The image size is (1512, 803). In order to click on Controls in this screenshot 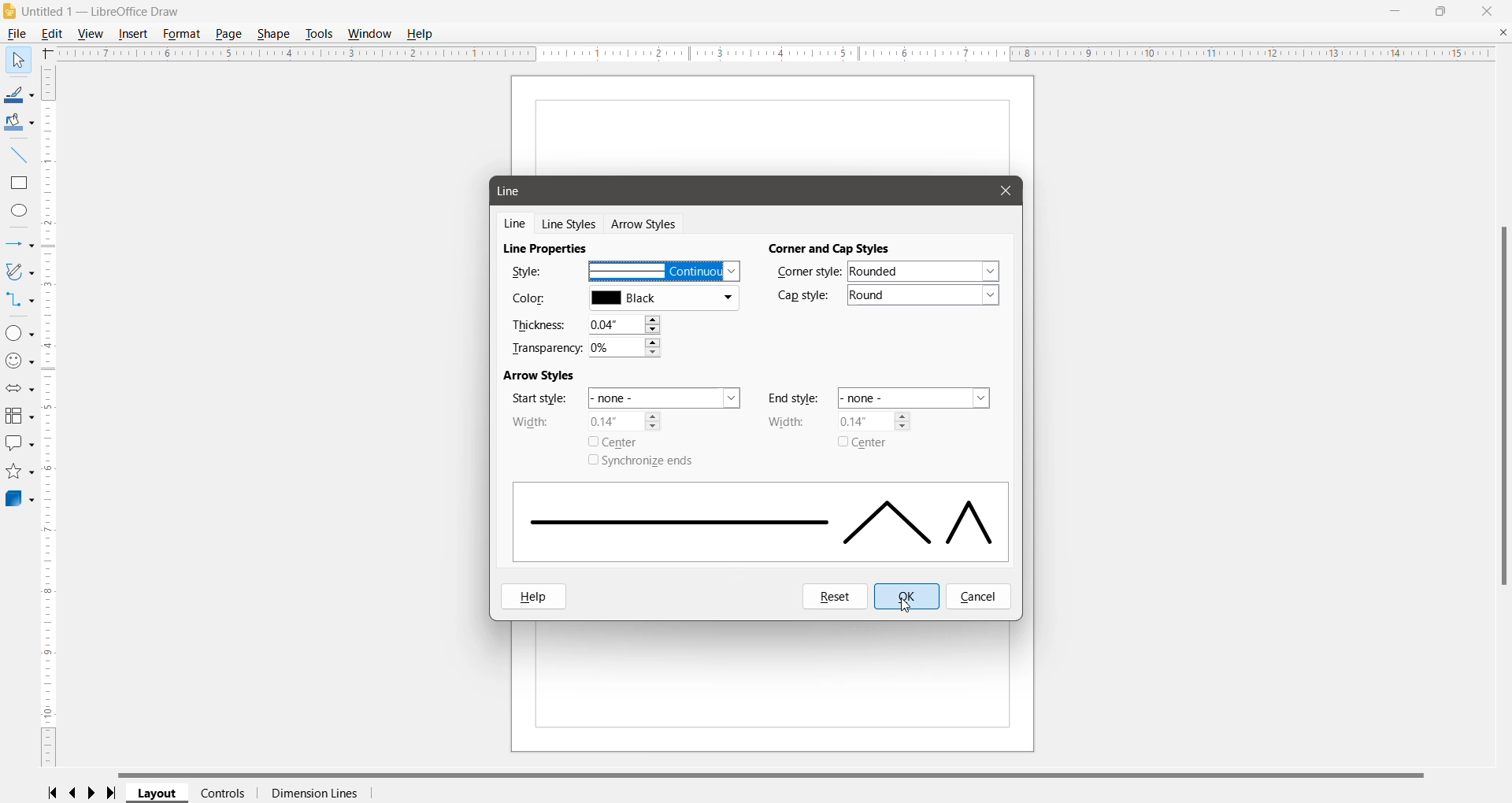, I will do `click(224, 794)`.